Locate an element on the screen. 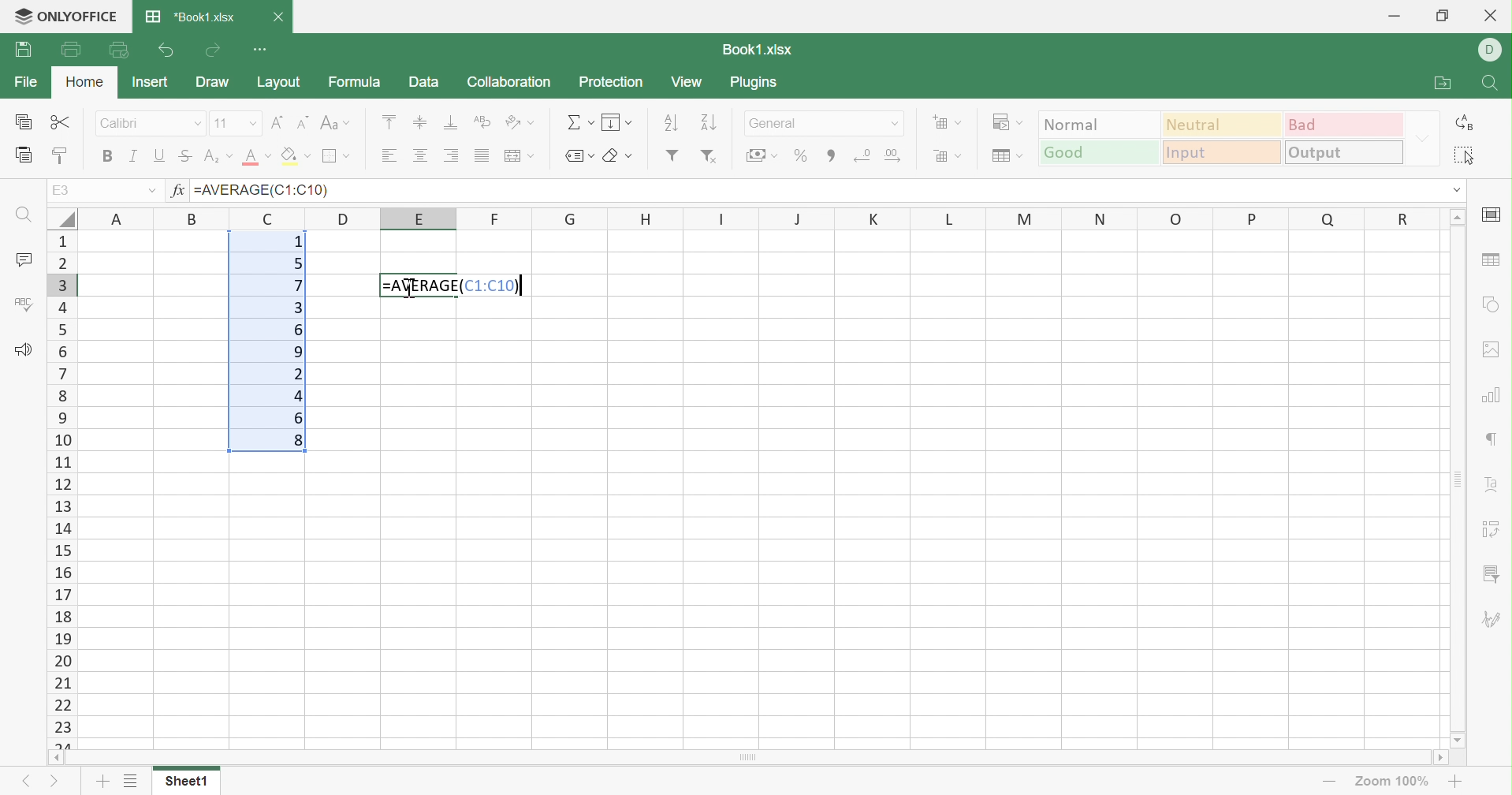 The image size is (1512, 795). Font color is located at coordinates (259, 155).